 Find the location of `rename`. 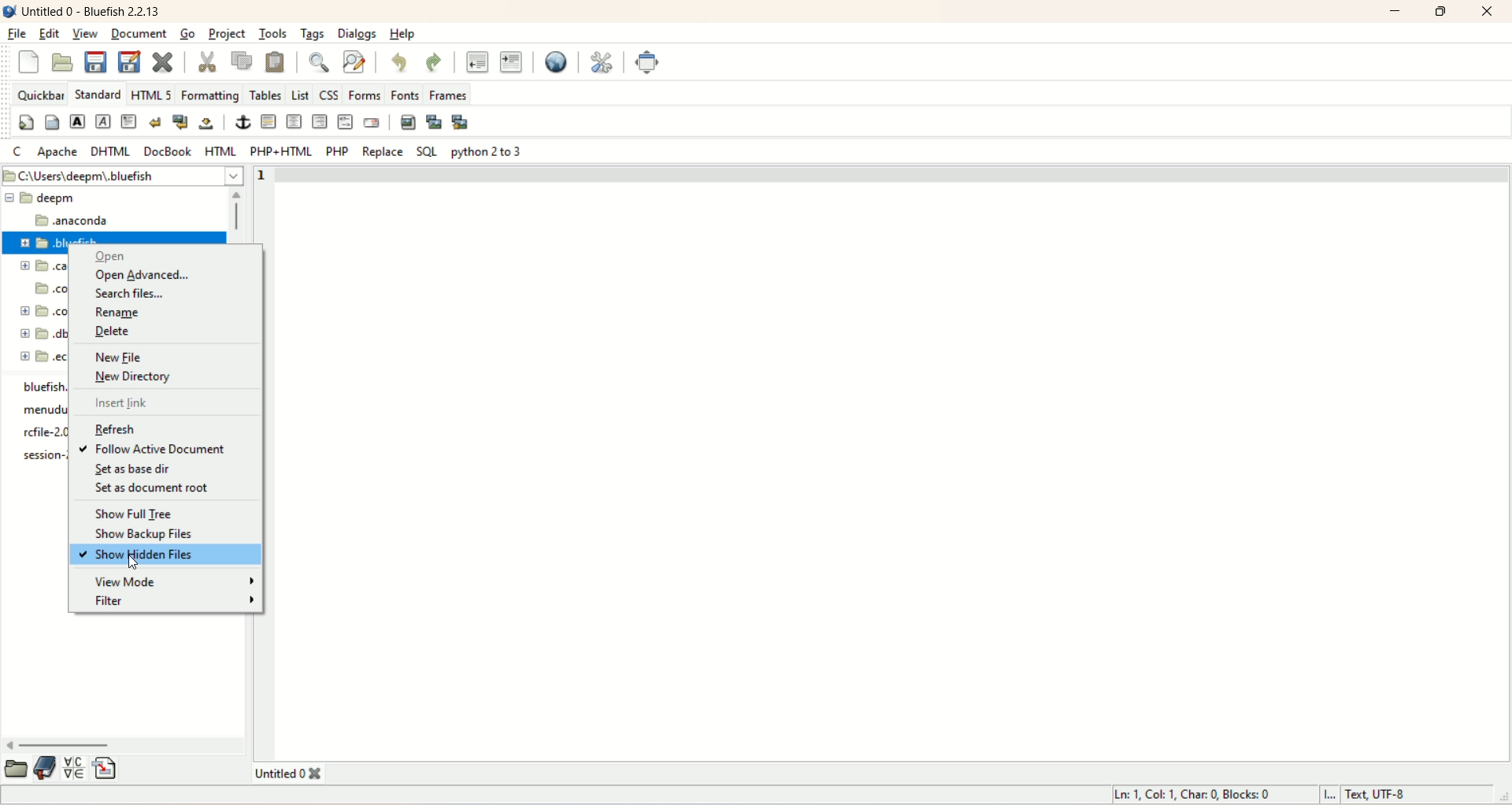

rename is located at coordinates (116, 313).